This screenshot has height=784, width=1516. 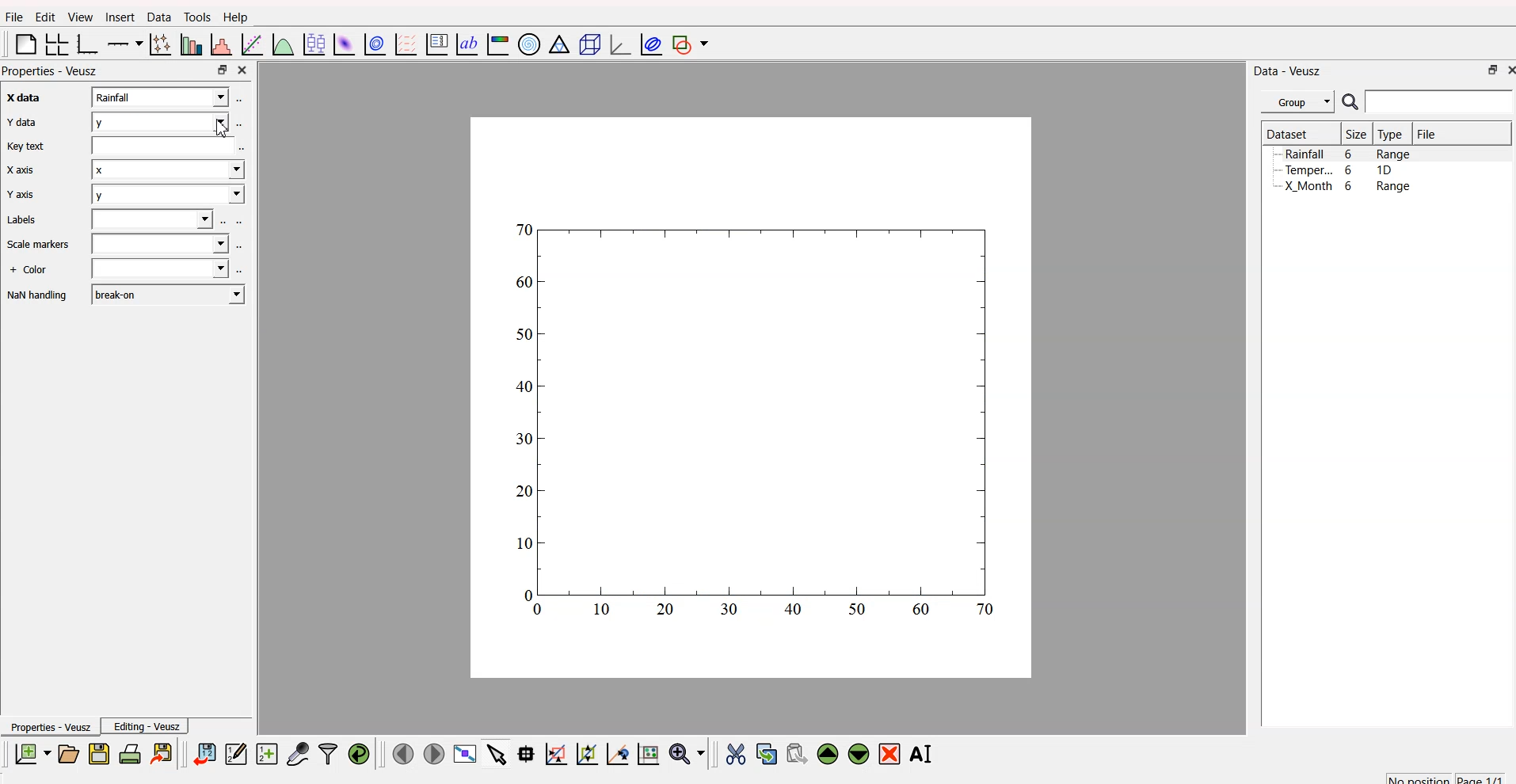 What do you see at coordinates (223, 45) in the screenshot?
I see `histogram of dataset` at bounding box center [223, 45].